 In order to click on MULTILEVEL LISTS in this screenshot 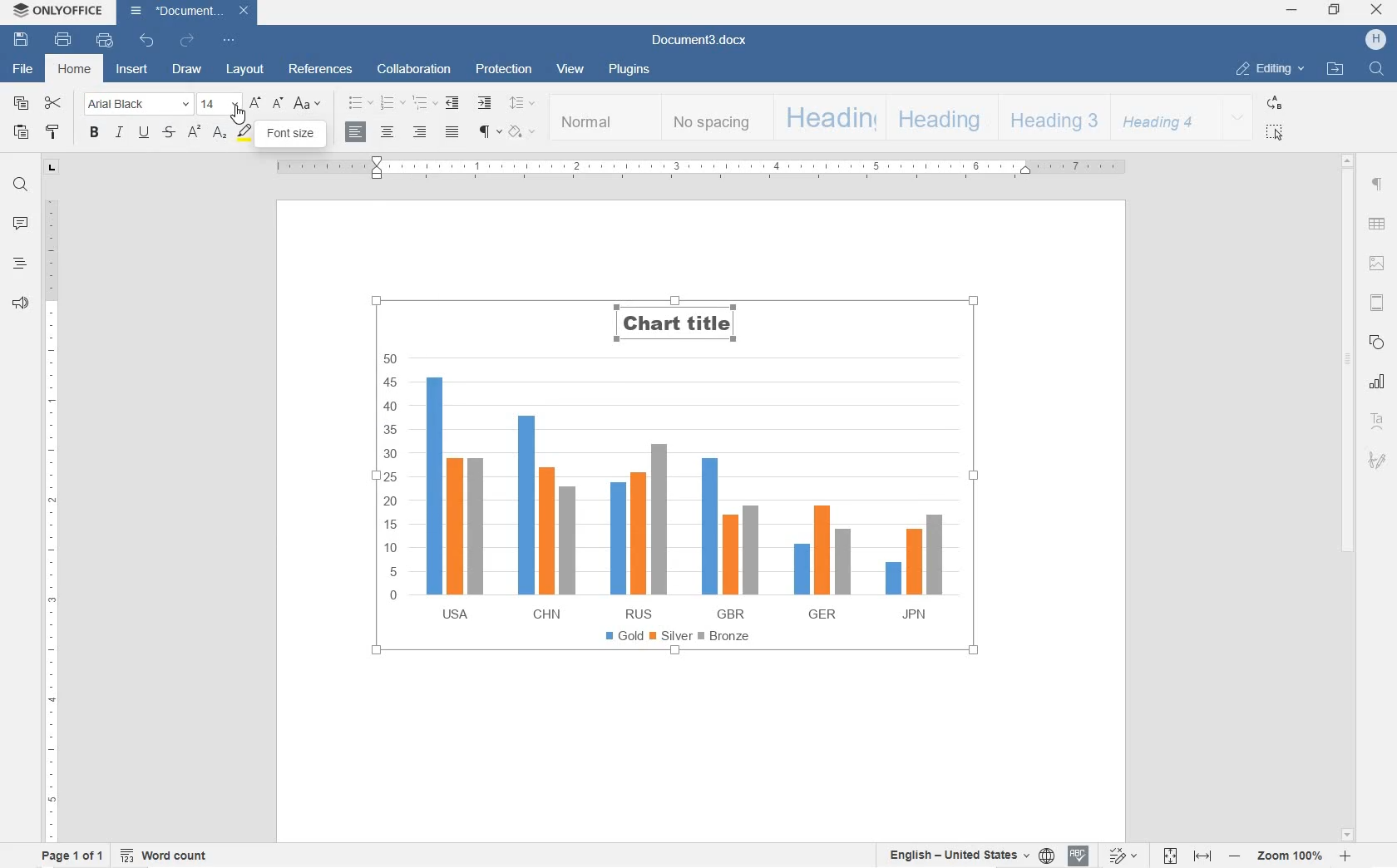, I will do `click(425, 104)`.